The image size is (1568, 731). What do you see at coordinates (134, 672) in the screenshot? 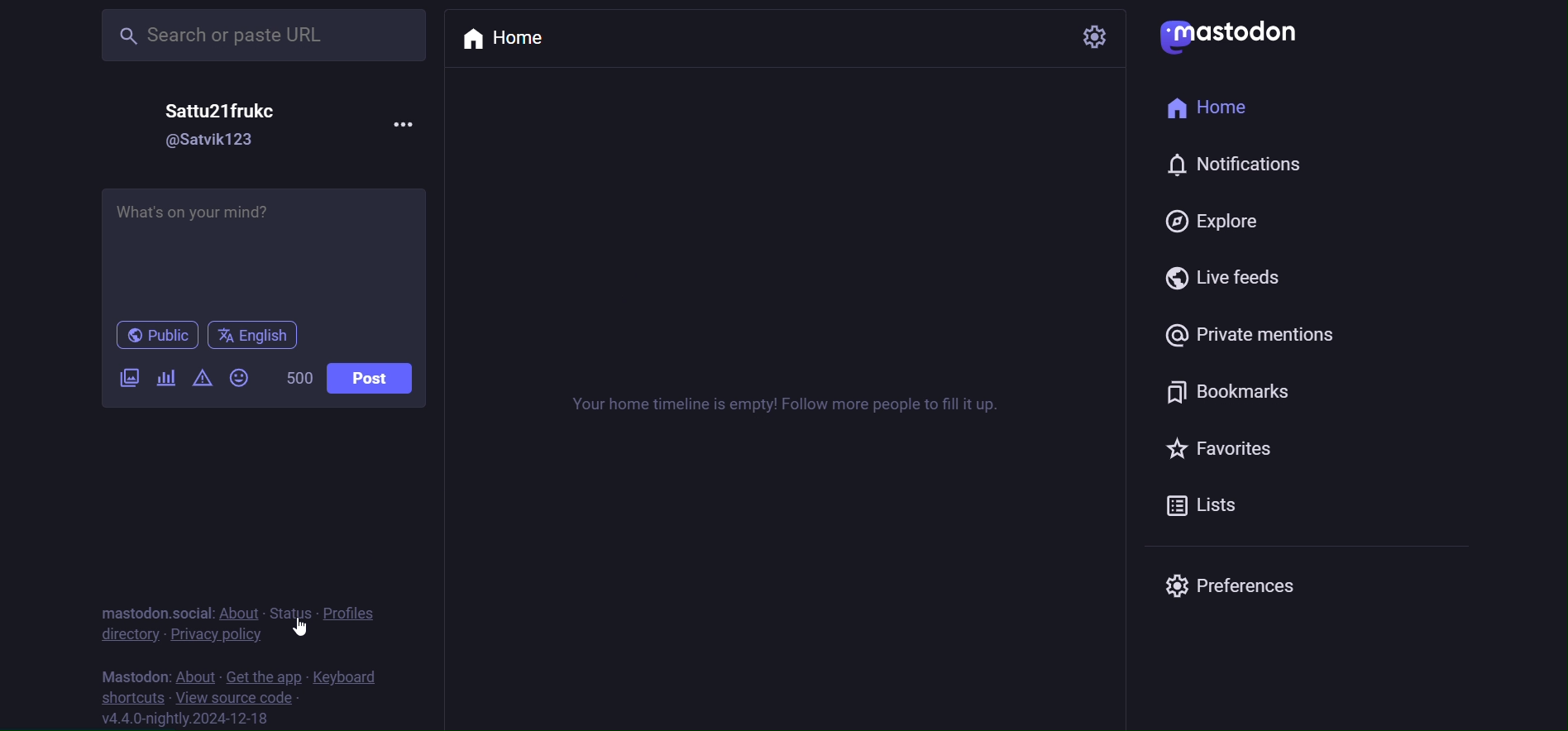
I see `Text` at bounding box center [134, 672].